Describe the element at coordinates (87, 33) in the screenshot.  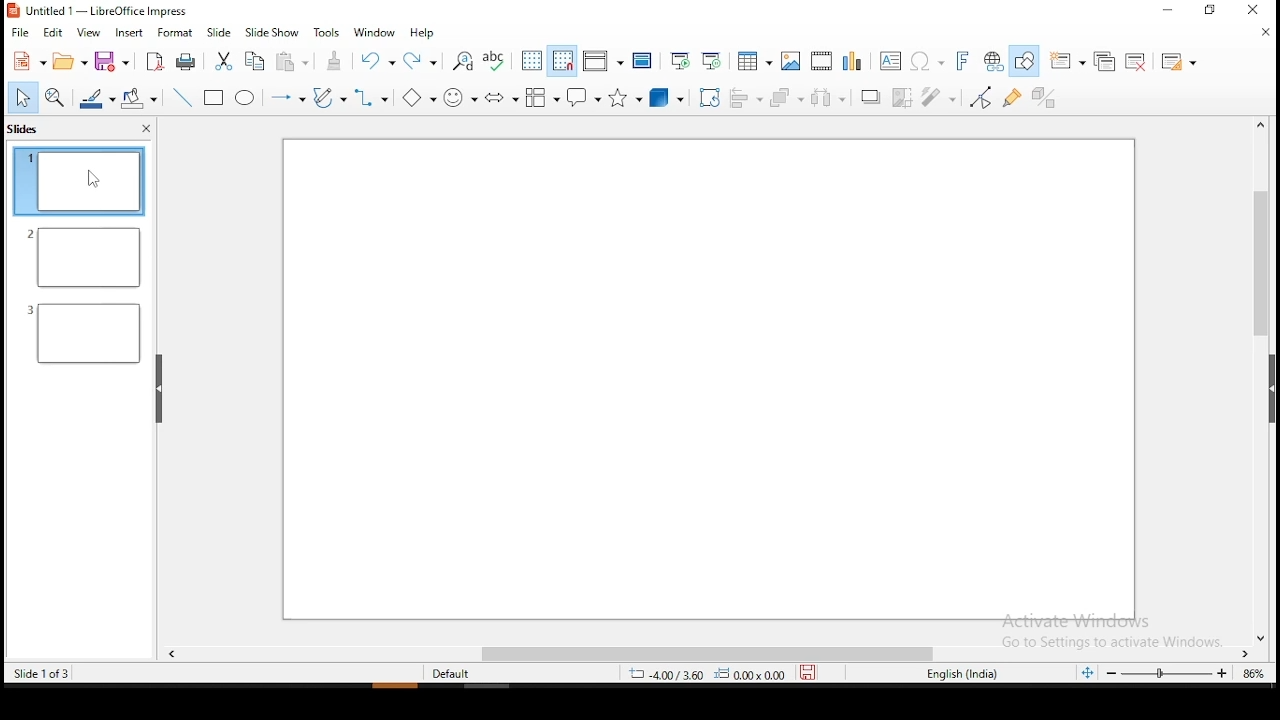
I see `view` at that location.